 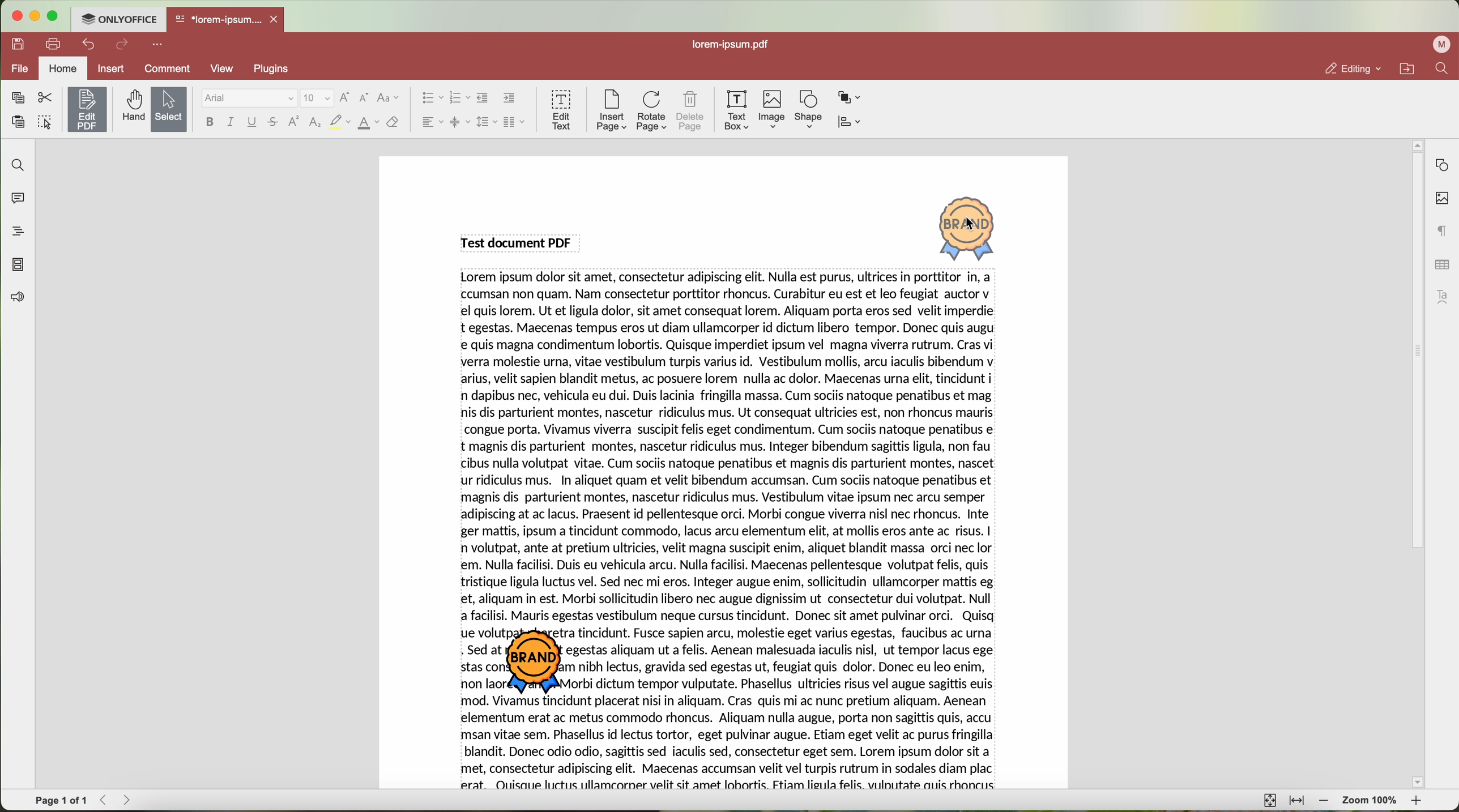 What do you see at coordinates (852, 123) in the screenshot?
I see `align shape` at bounding box center [852, 123].